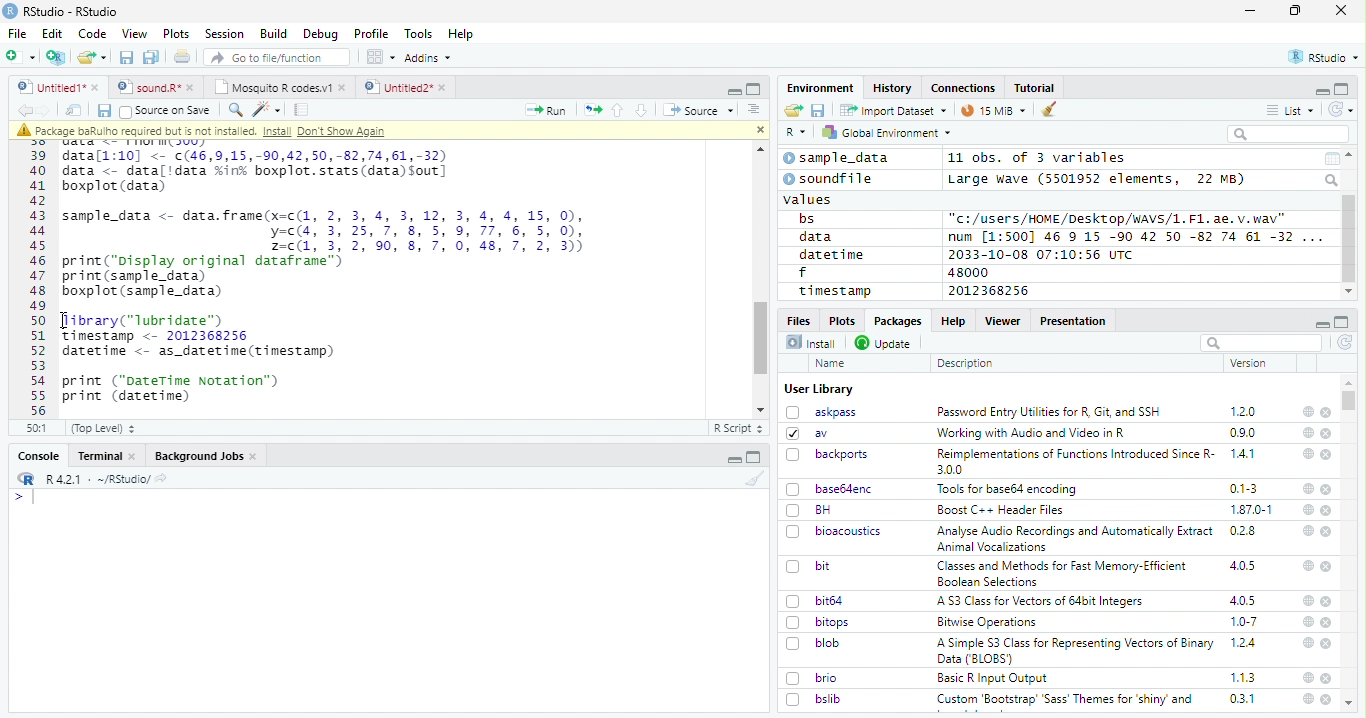  What do you see at coordinates (893, 88) in the screenshot?
I see `History` at bounding box center [893, 88].